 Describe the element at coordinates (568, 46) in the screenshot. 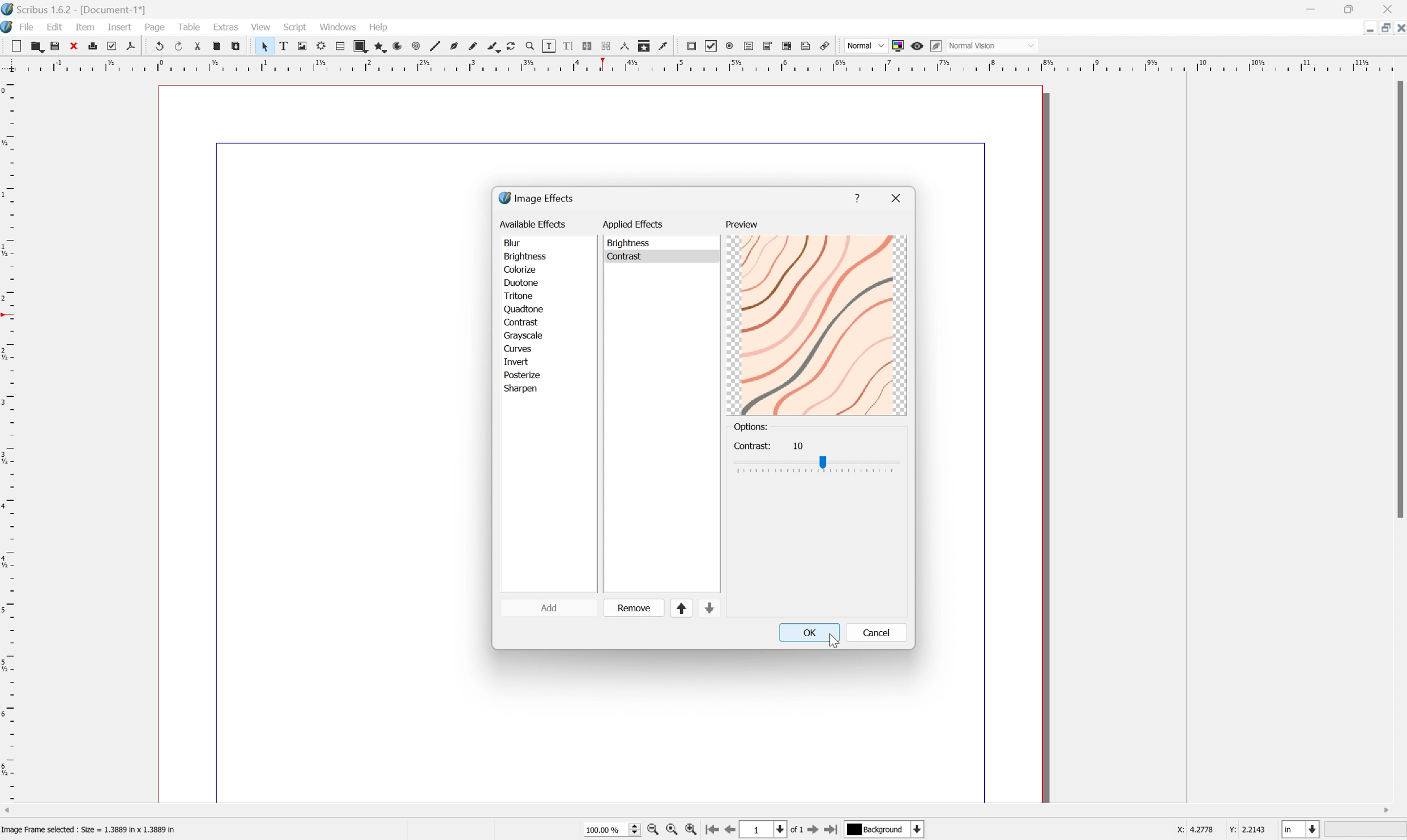

I see `Edit text with story editor` at that location.